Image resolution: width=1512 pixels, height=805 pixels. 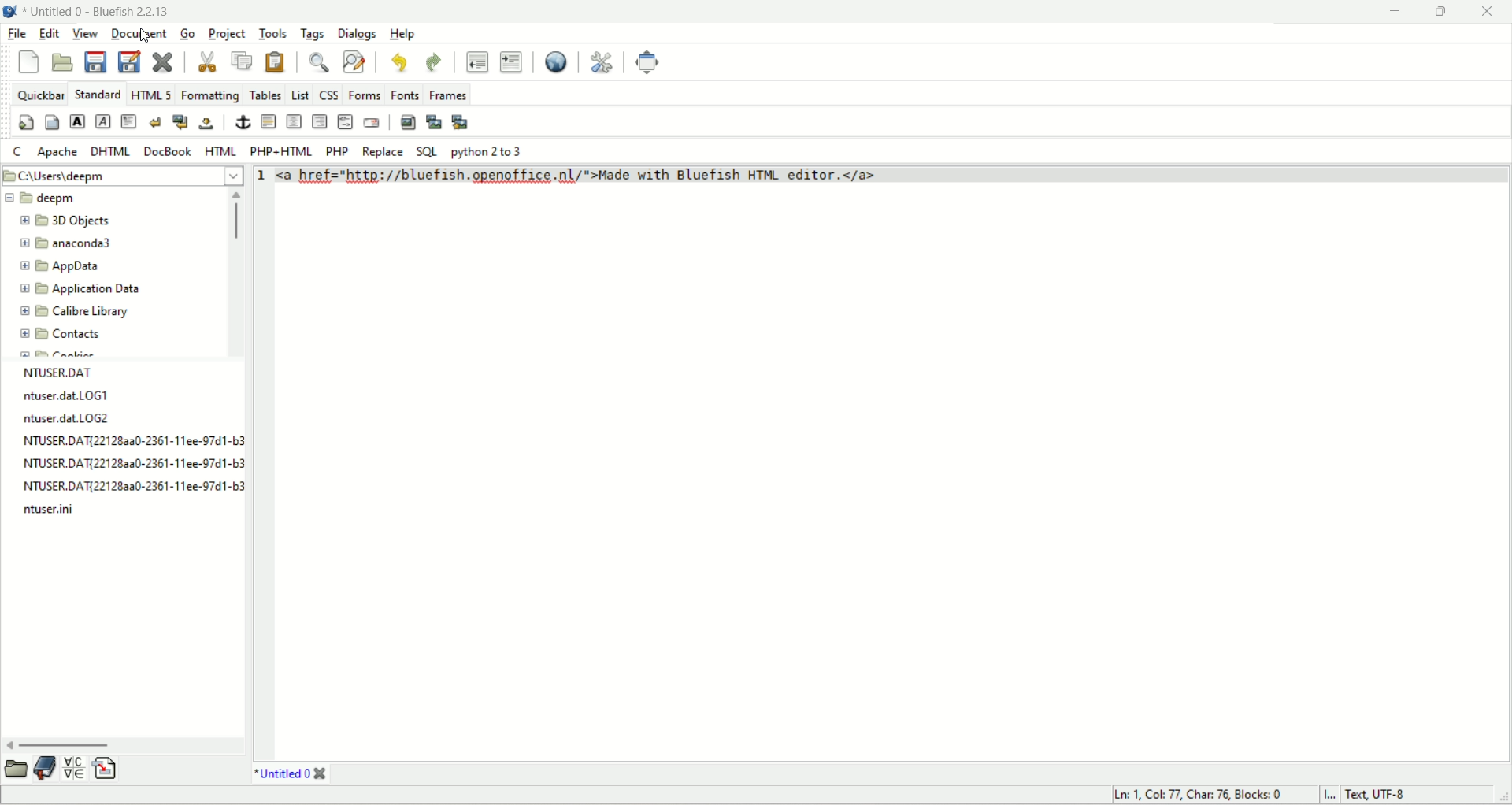 What do you see at coordinates (131, 121) in the screenshot?
I see `paragraph` at bounding box center [131, 121].